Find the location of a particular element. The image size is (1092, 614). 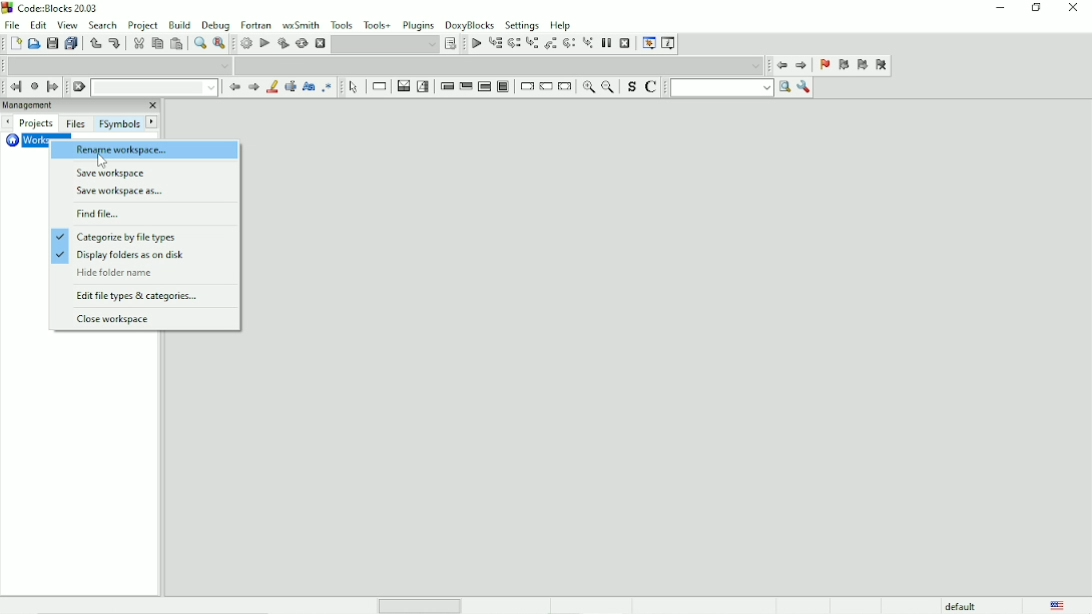

Build is located at coordinates (245, 44).